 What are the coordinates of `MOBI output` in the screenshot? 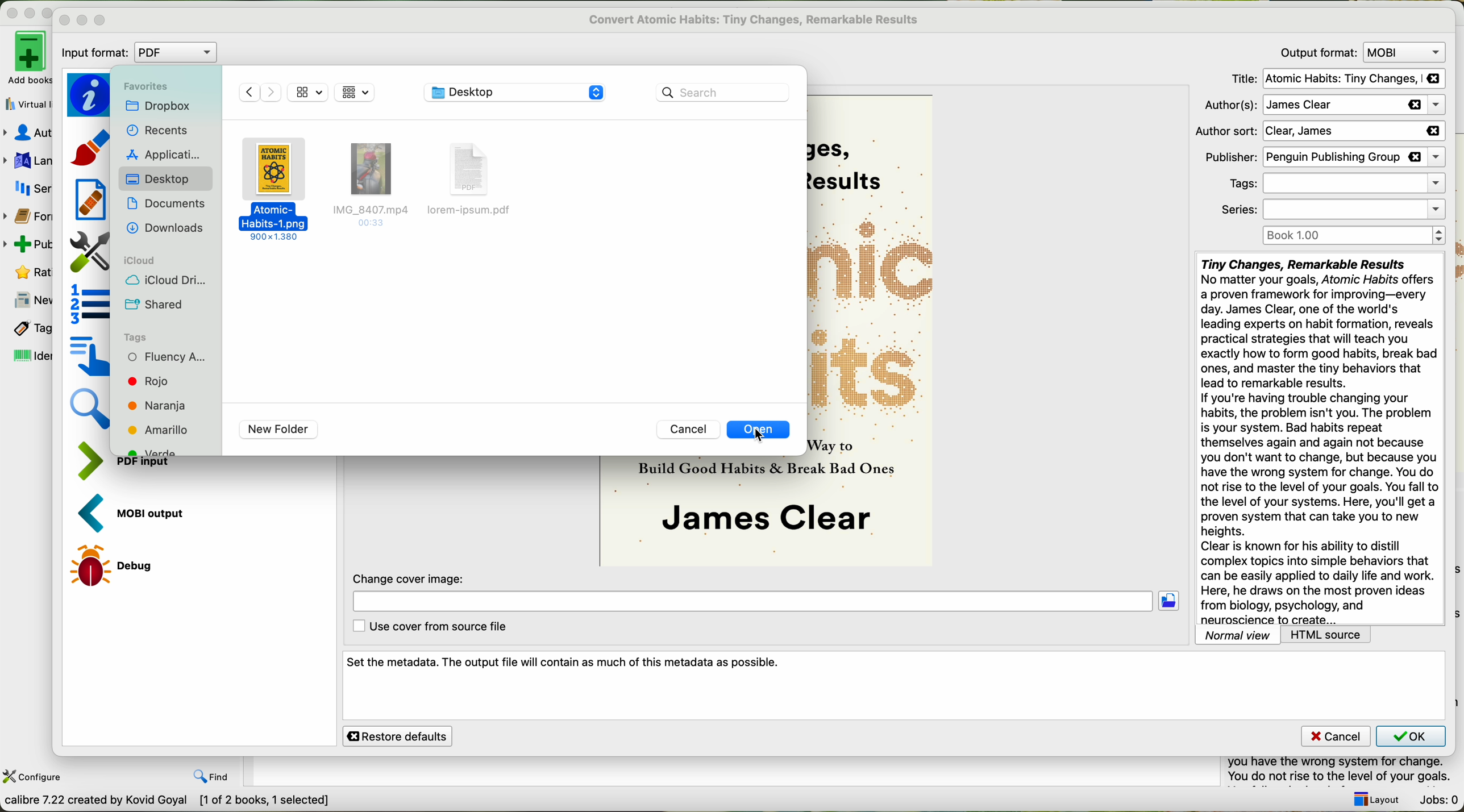 It's located at (138, 514).